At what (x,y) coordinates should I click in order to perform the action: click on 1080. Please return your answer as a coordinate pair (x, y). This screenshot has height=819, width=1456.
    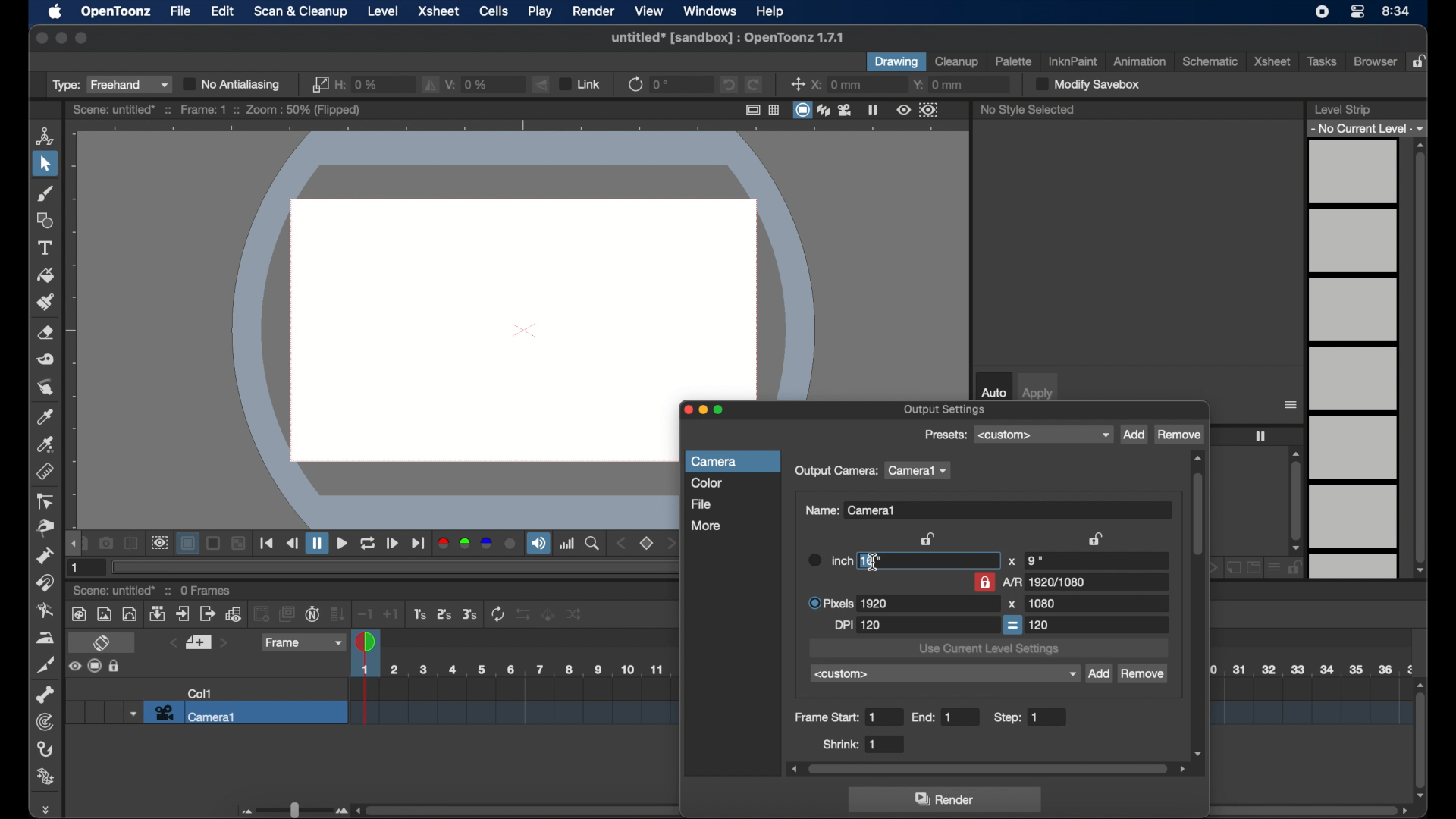
    Looking at the image, I should click on (1041, 603).